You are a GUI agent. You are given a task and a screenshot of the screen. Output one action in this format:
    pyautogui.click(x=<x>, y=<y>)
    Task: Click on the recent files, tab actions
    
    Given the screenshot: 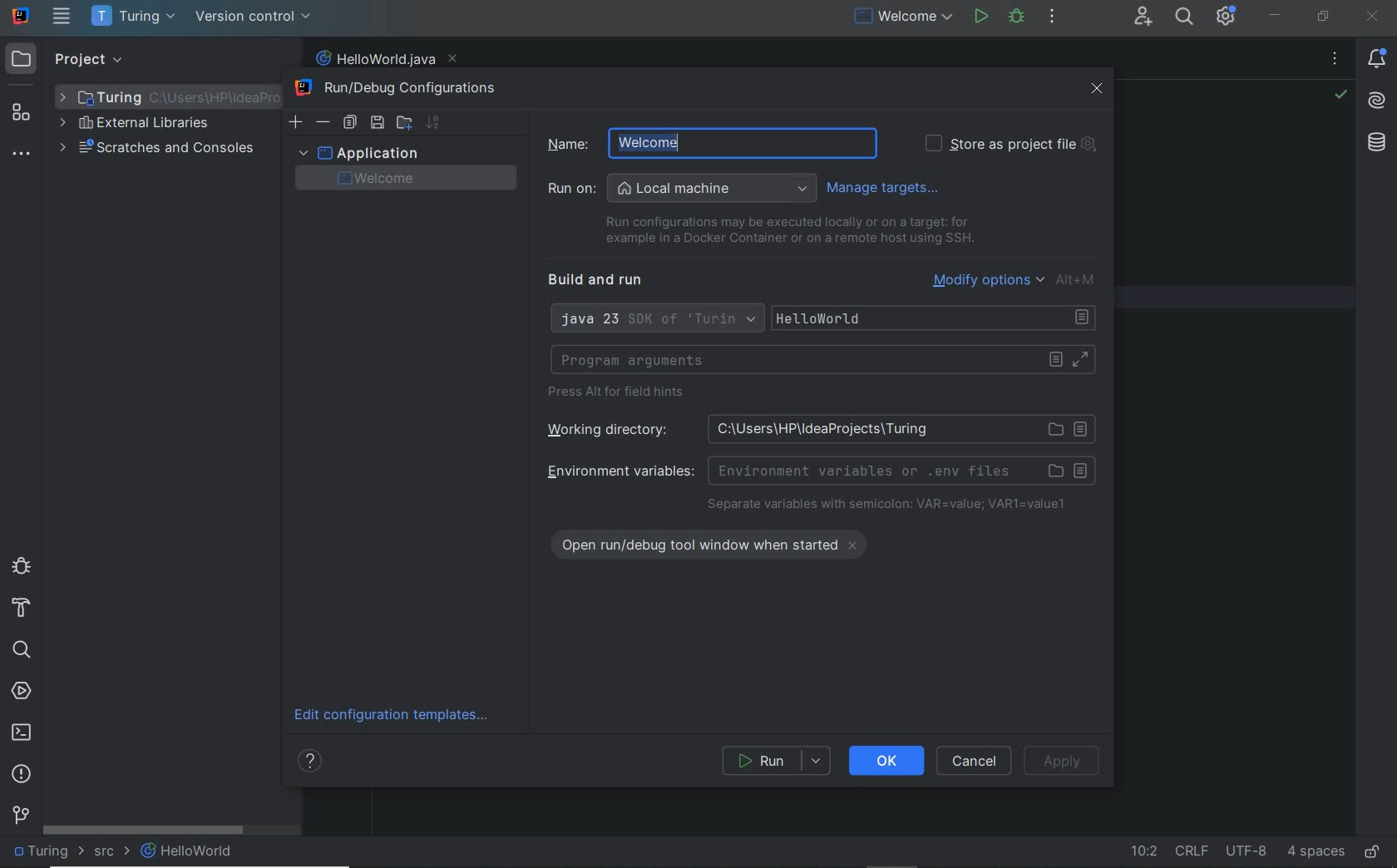 What is the action you would take?
    pyautogui.click(x=1335, y=62)
    